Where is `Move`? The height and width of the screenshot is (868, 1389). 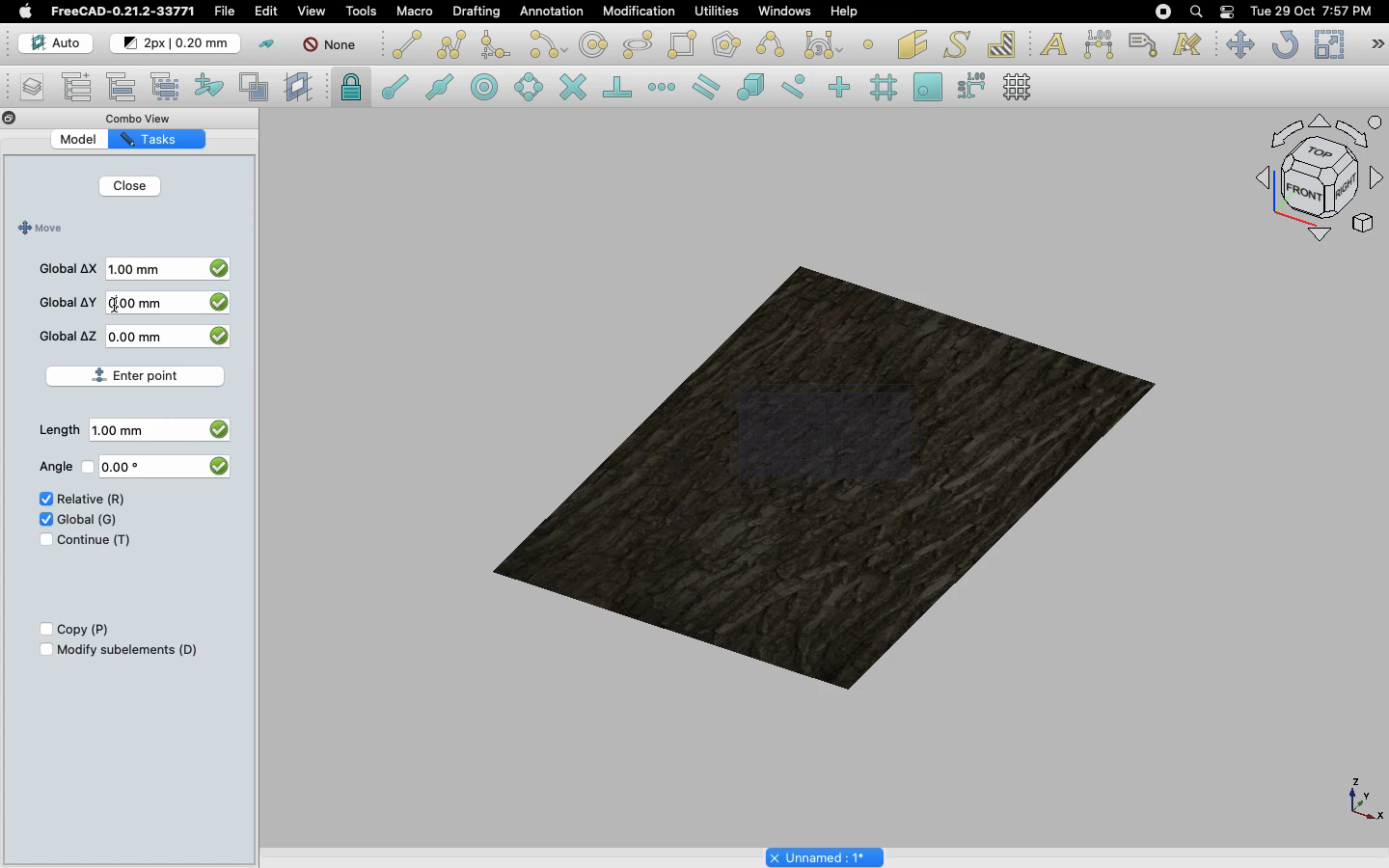
Move is located at coordinates (1239, 44).